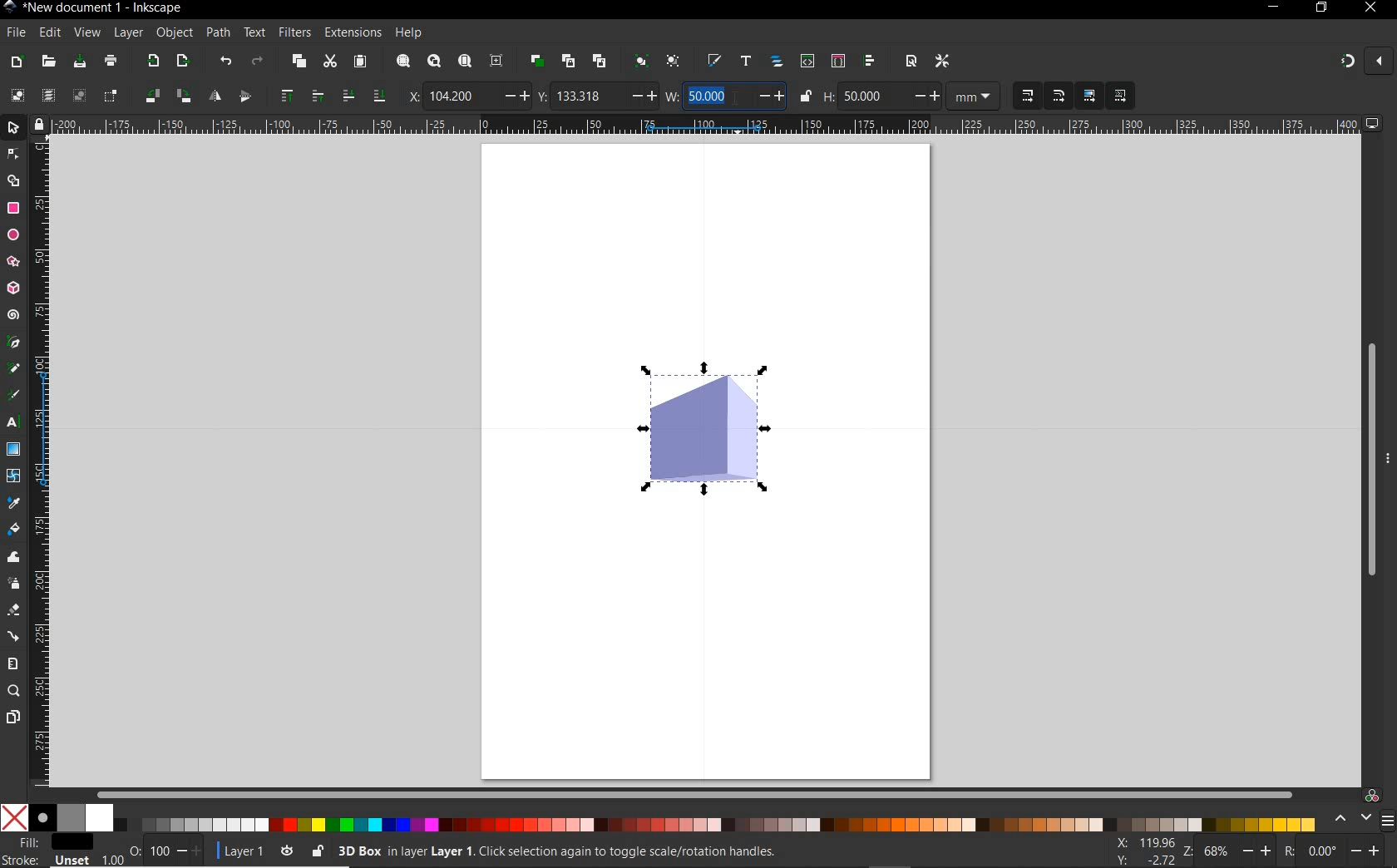 This screenshot has height=868, width=1397. What do you see at coordinates (213, 97) in the screenshot?
I see `object flip` at bounding box center [213, 97].